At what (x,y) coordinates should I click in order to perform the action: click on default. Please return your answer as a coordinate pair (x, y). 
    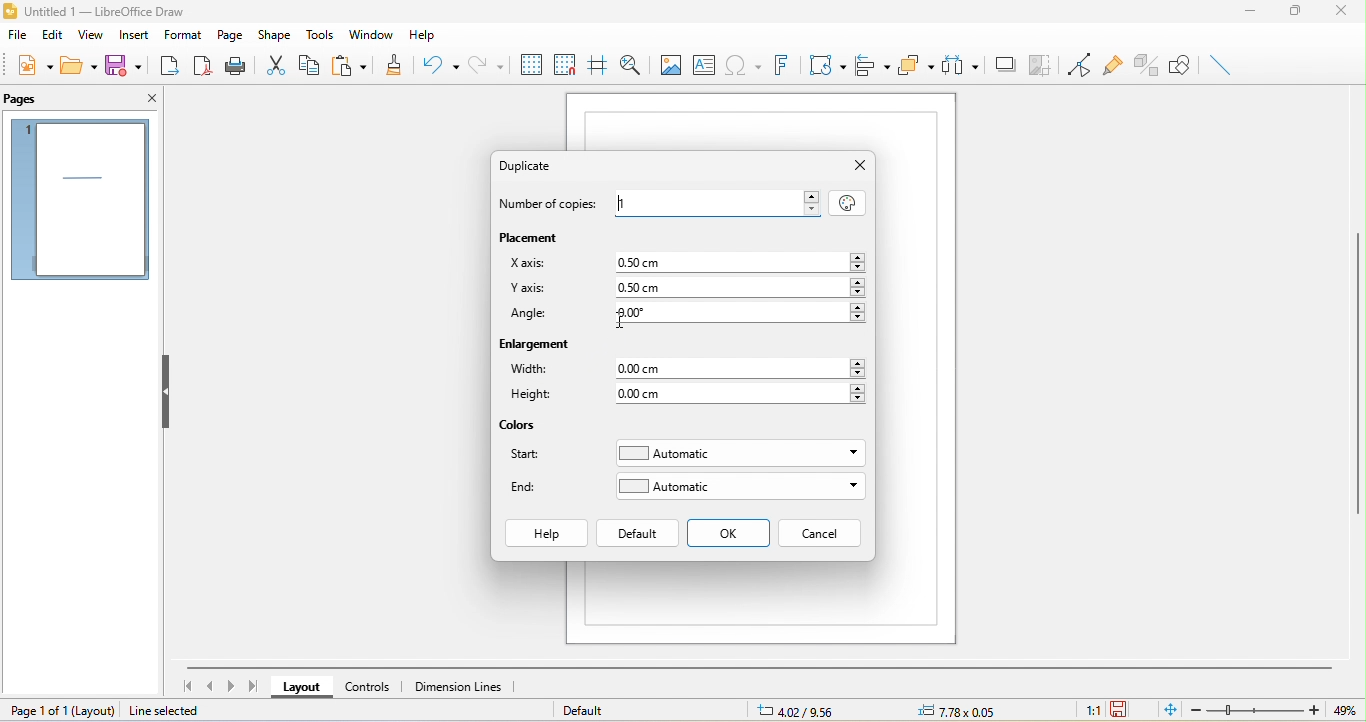
    Looking at the image, I should click on (590, 710).